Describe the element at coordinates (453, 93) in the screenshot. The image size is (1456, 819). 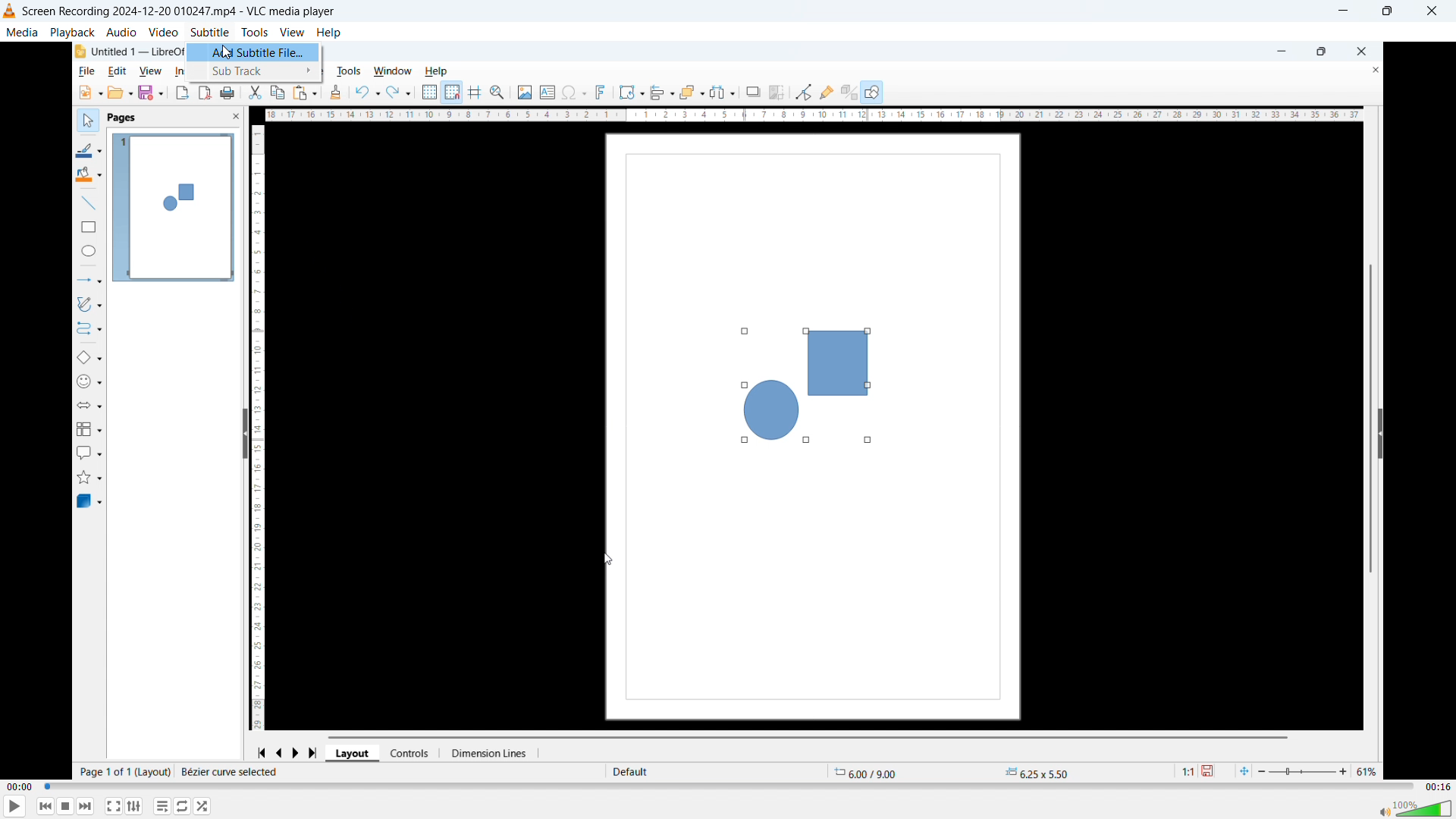
I see `snap to grid` at that location.